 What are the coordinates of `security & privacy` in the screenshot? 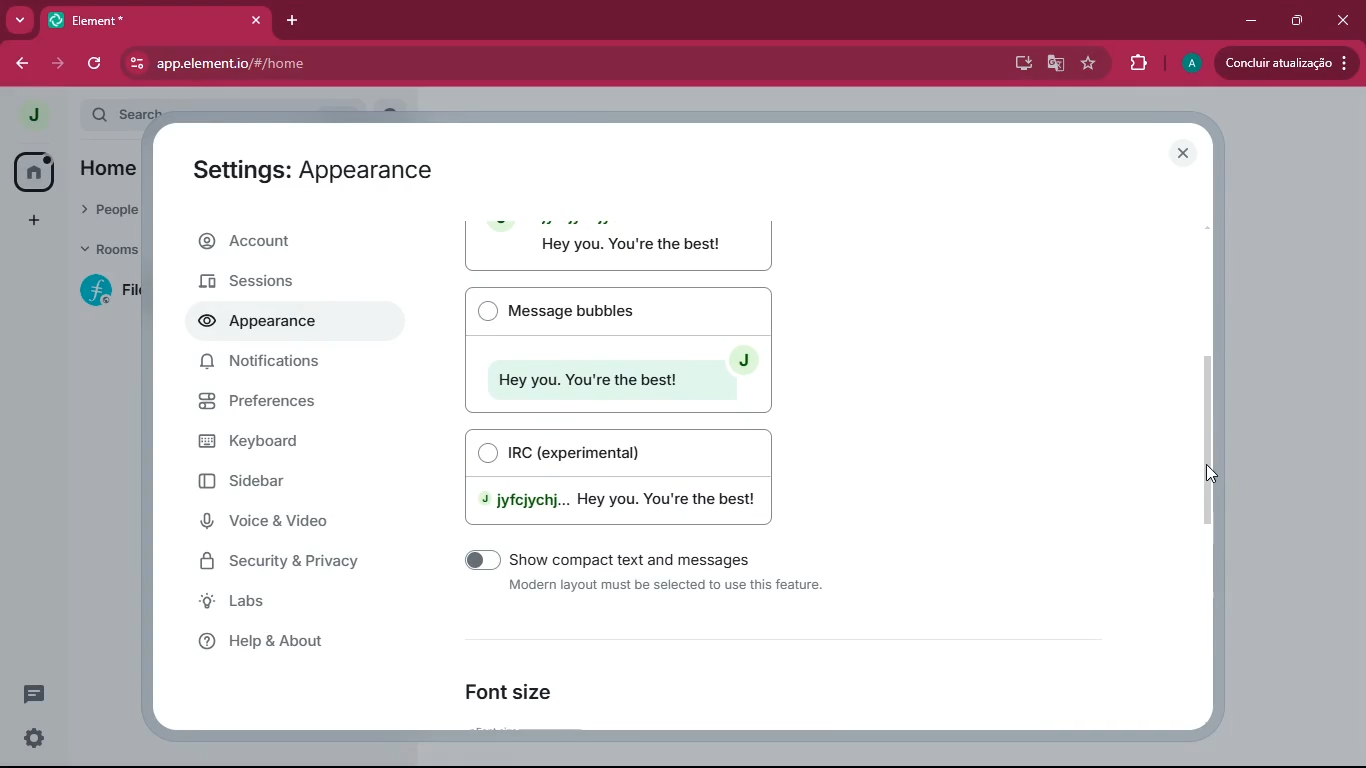 It's located at (285, 560).